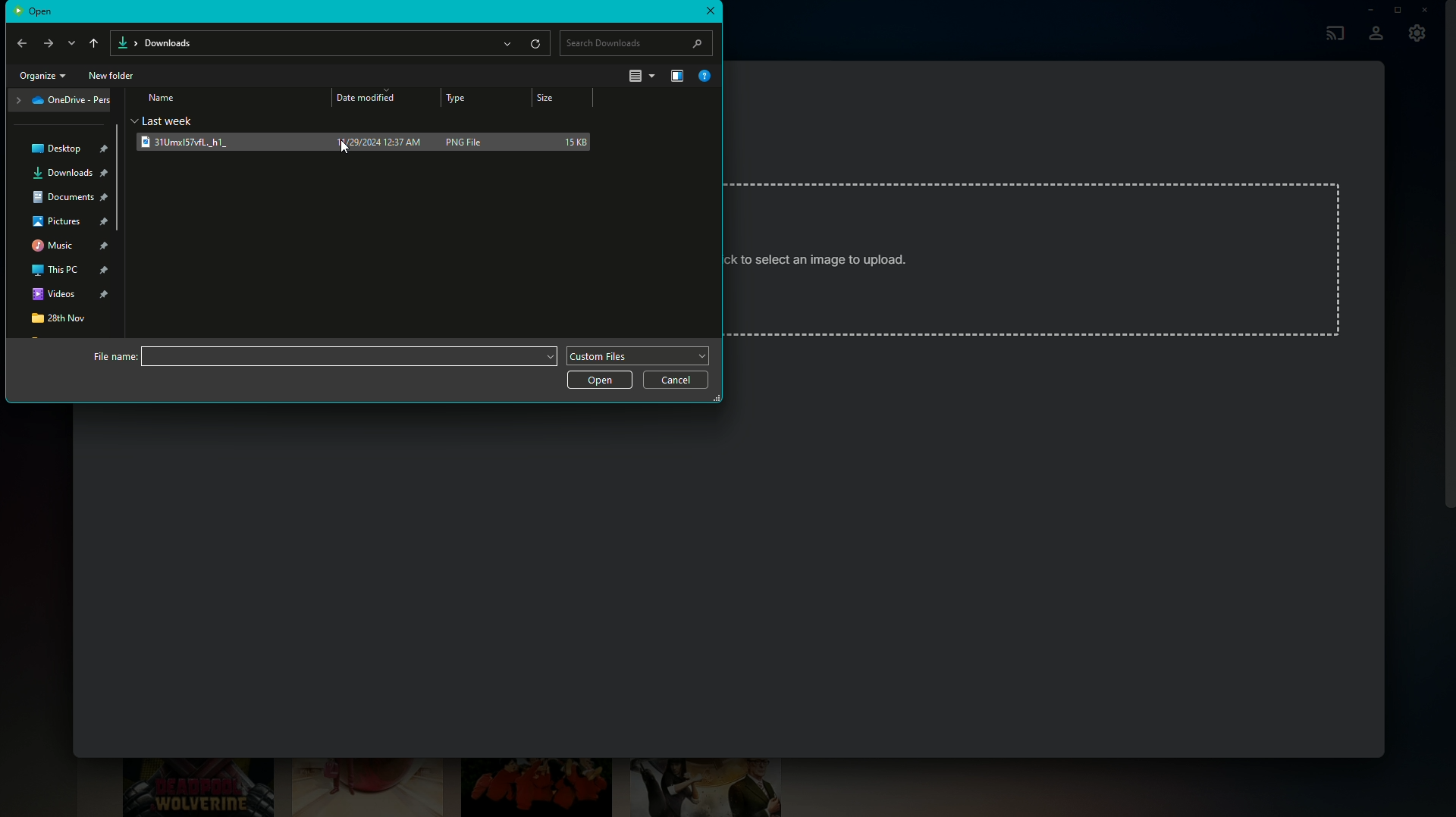 Image resolution: width=1456 pixels, height=817 pixels. What do you see at coordinates (322, 357) in the screenshot?
I see `File Name` at bounding box center [322, 357].